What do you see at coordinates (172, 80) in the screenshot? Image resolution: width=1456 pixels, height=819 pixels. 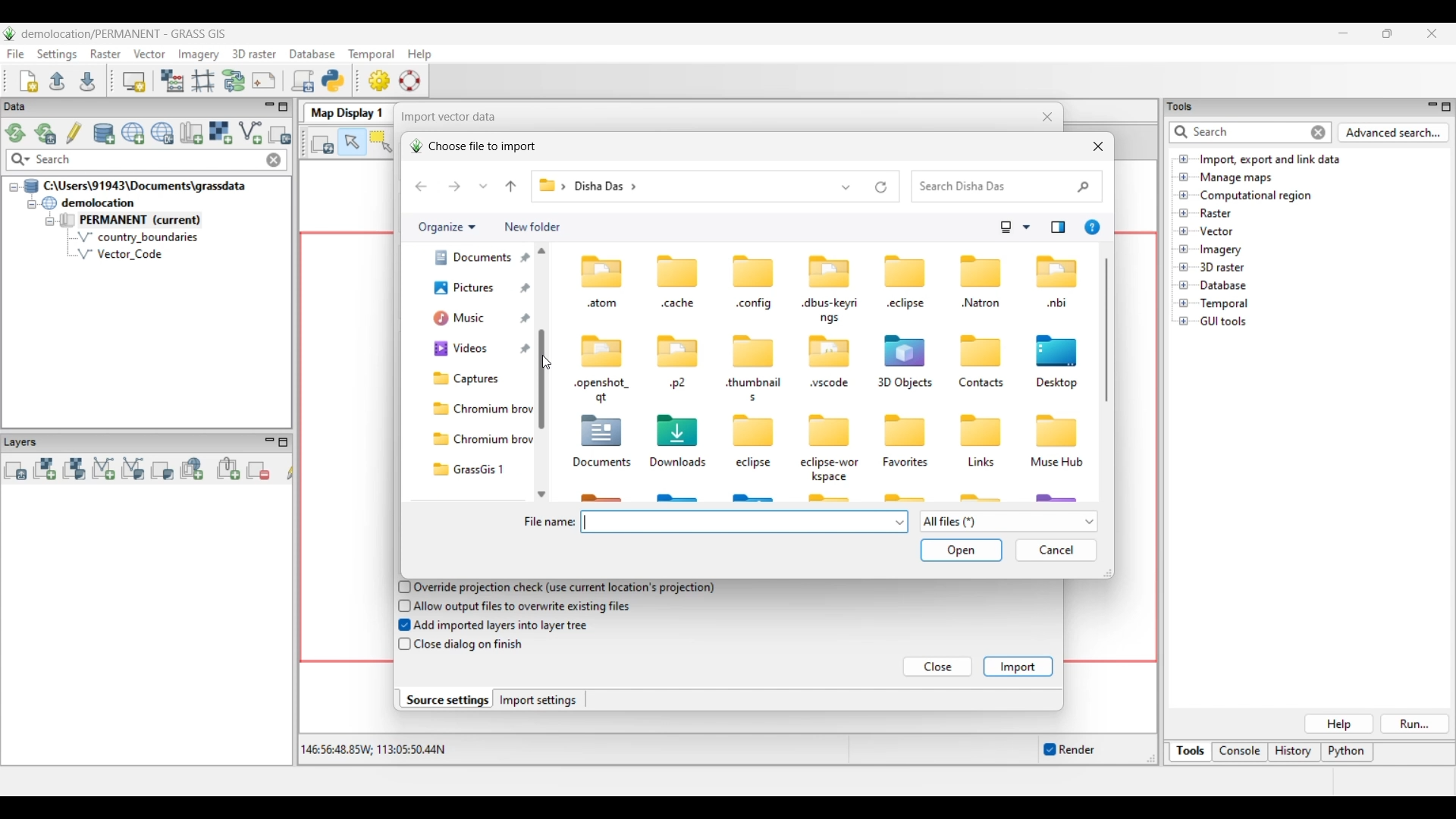 I see `Raster map calculator` at bounding box center [172, 80].